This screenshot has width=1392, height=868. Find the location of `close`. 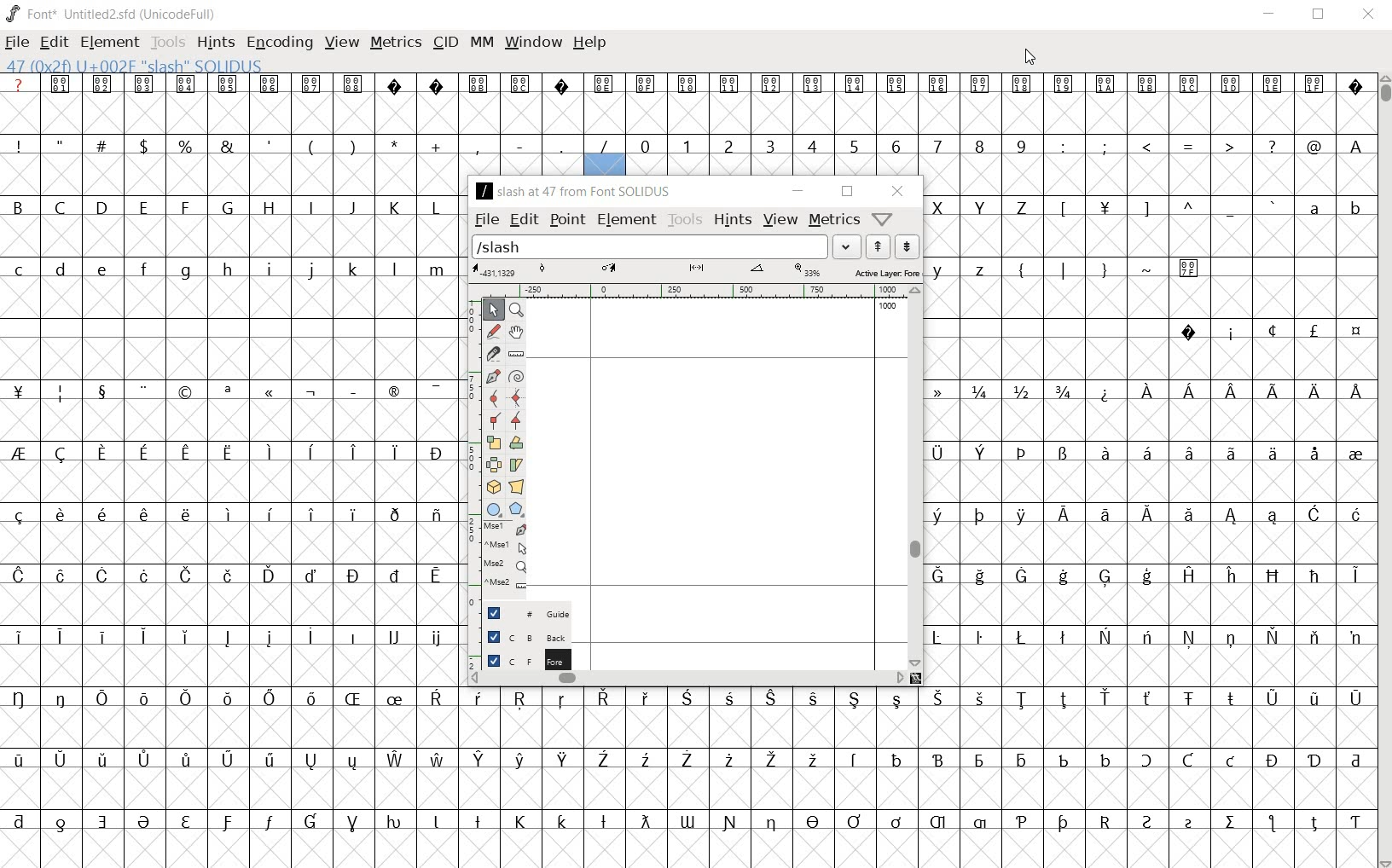

close is located at coordinates (900, 192).